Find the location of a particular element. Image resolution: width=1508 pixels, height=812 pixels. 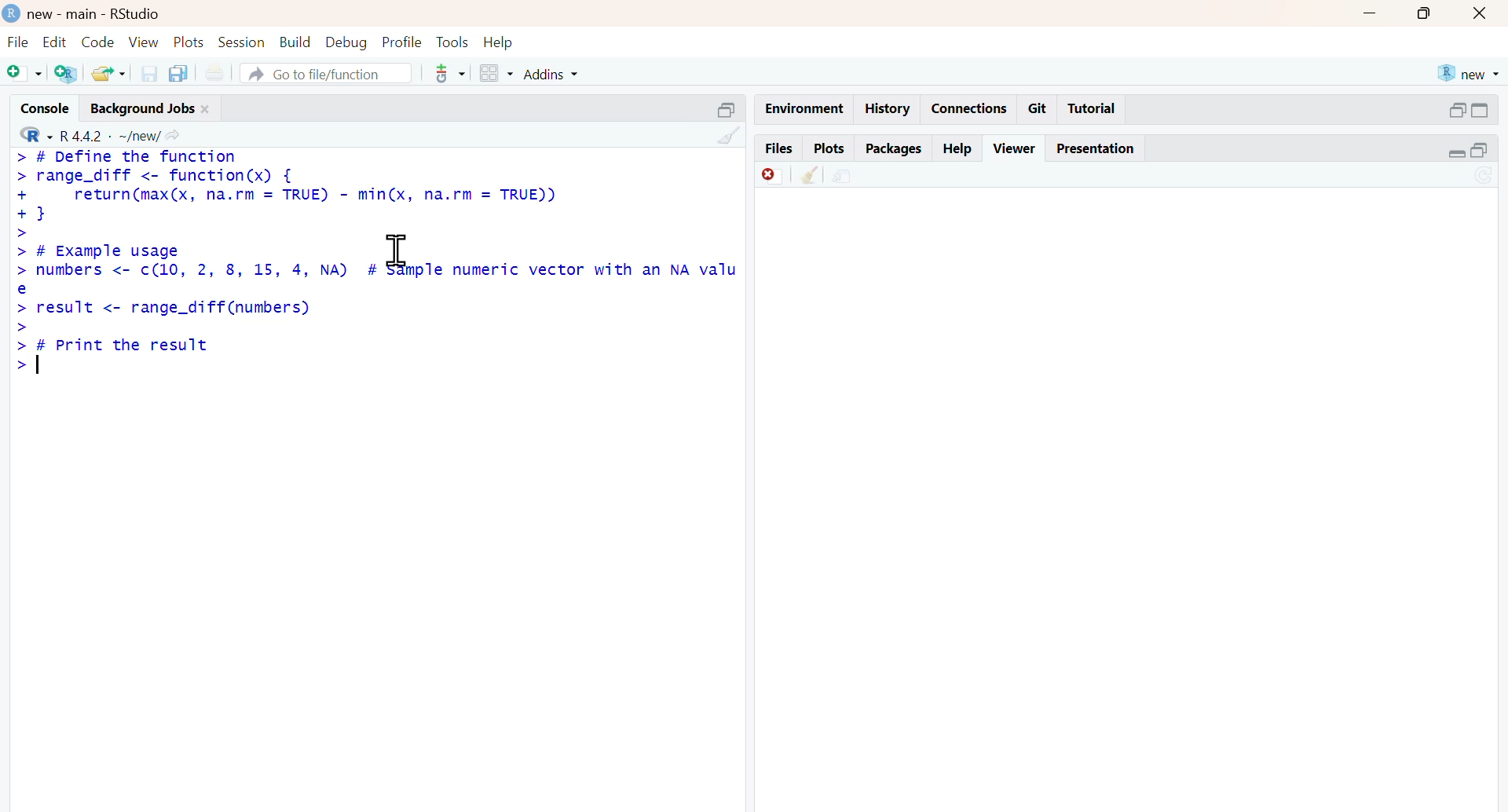

Sync is located at coordinates (1484, 177).